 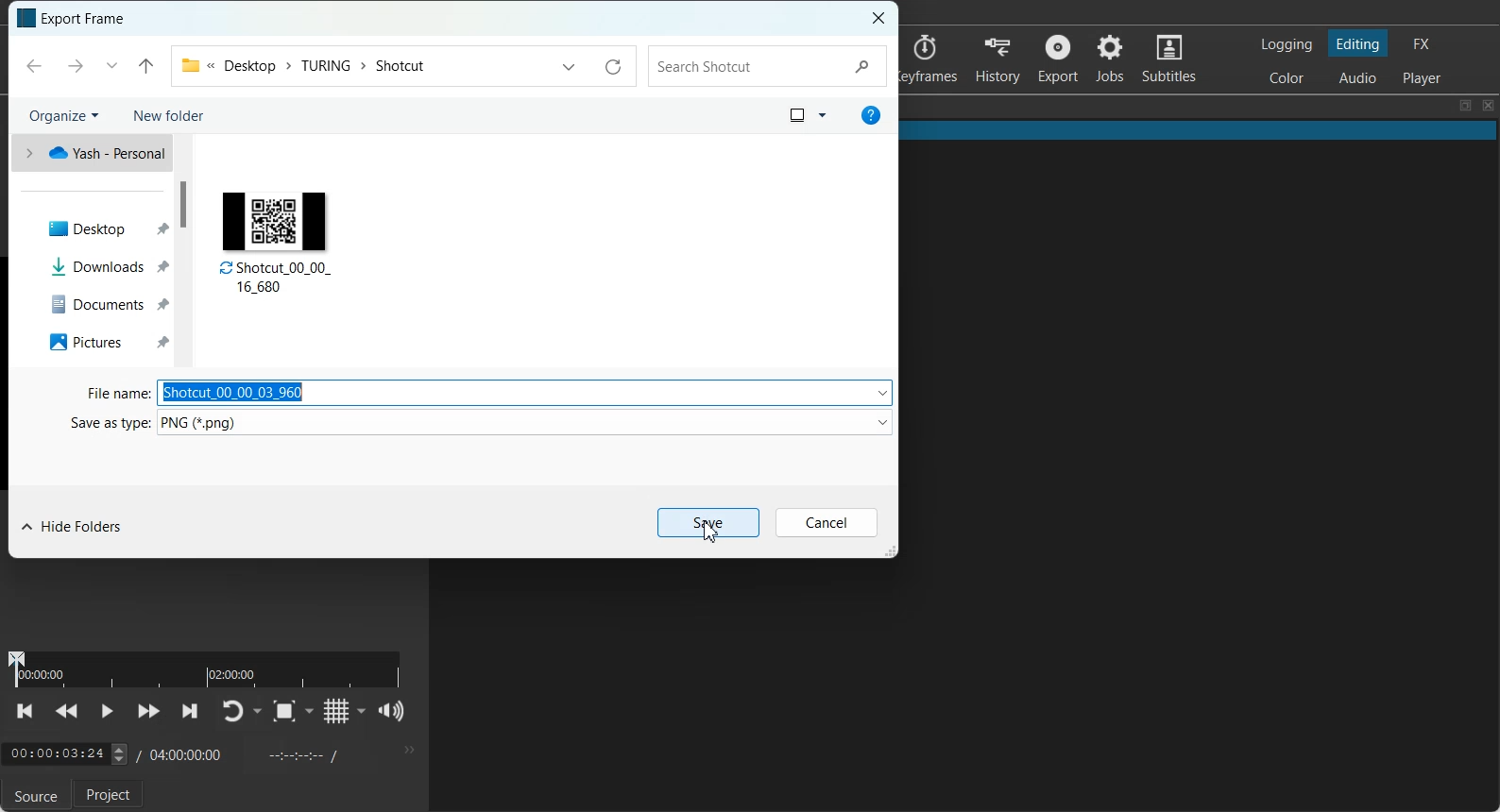 What do you see at coordinates (185, 205) in the screenshot?
I see `Vertical Scroll bar` at bounding box center [185, 205].